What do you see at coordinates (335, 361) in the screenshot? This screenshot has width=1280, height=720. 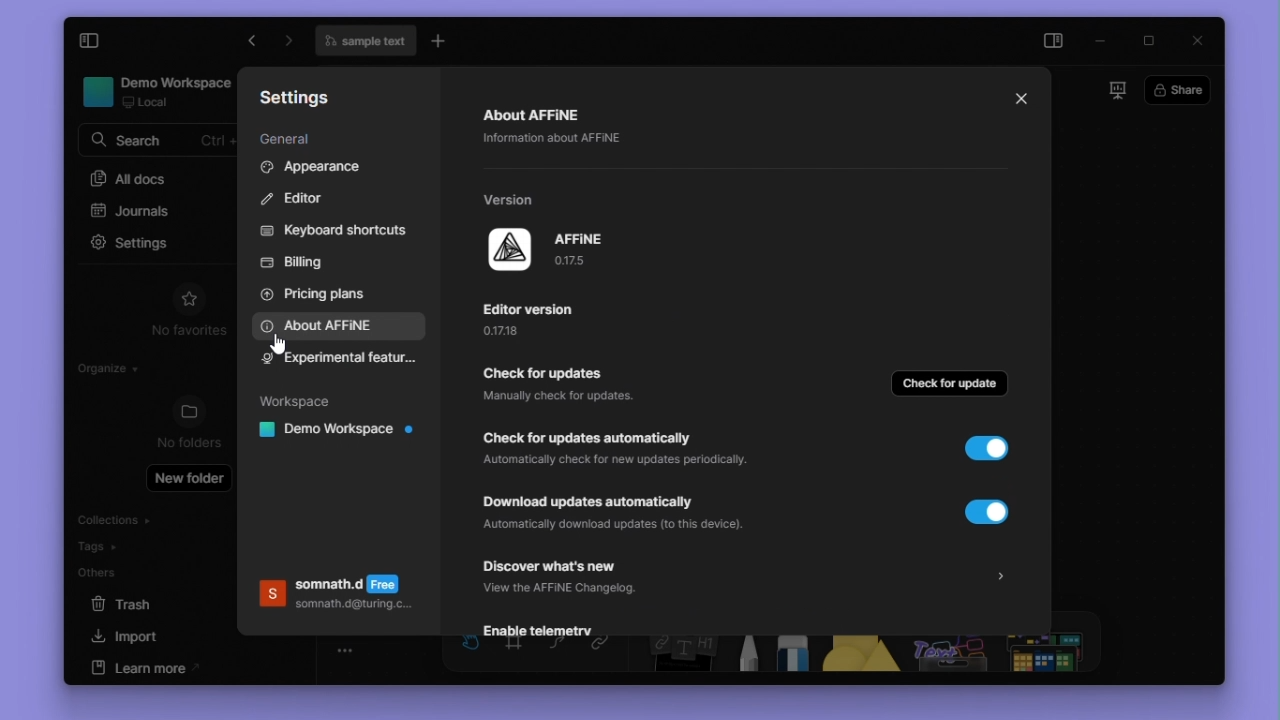 I see `experimental features` at bounding box center [335, 361].